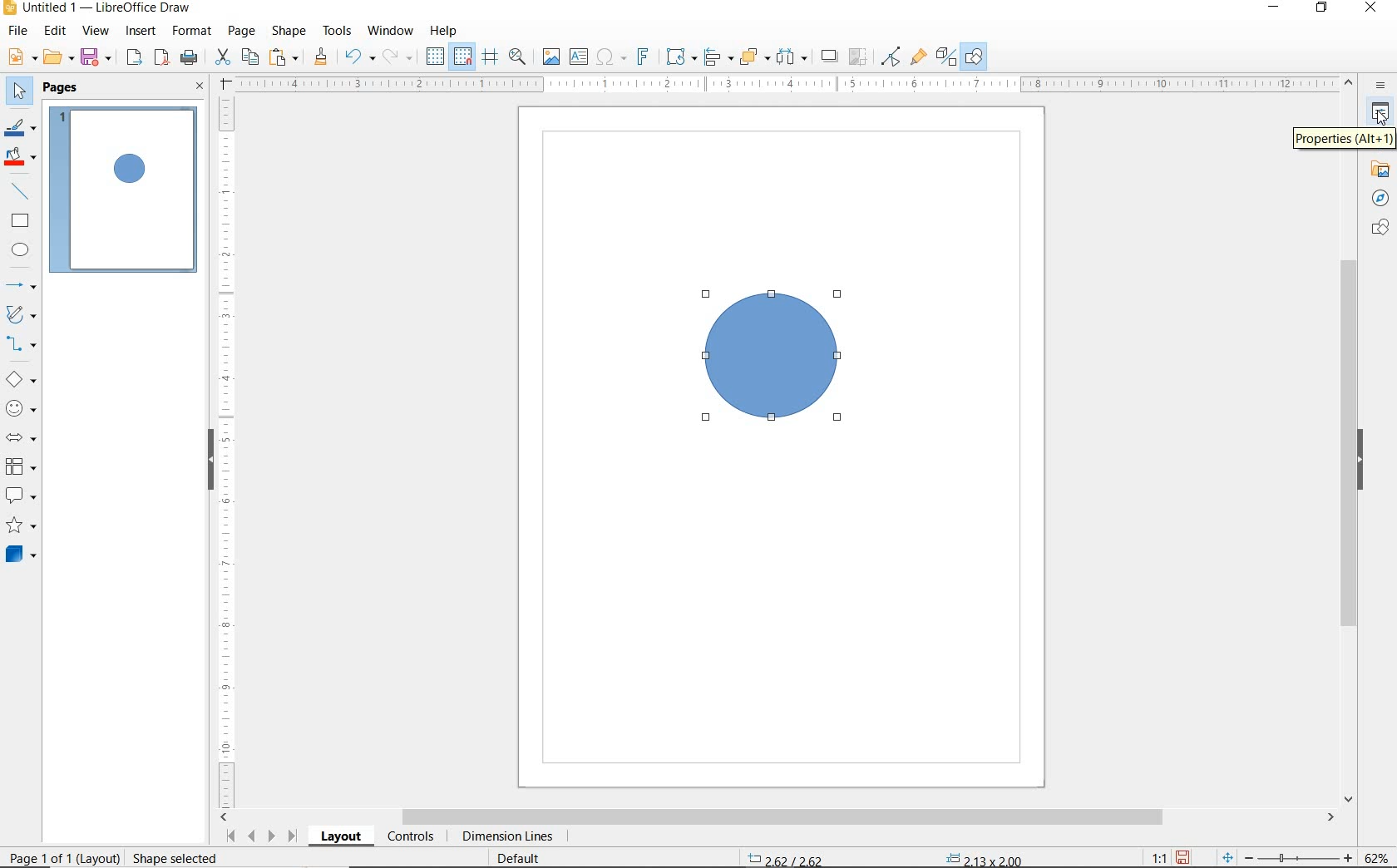 Image resolution: width=1397 pixels, height=868 pixels. I want to click on zoom out and zoom in, so click(1286, 856).